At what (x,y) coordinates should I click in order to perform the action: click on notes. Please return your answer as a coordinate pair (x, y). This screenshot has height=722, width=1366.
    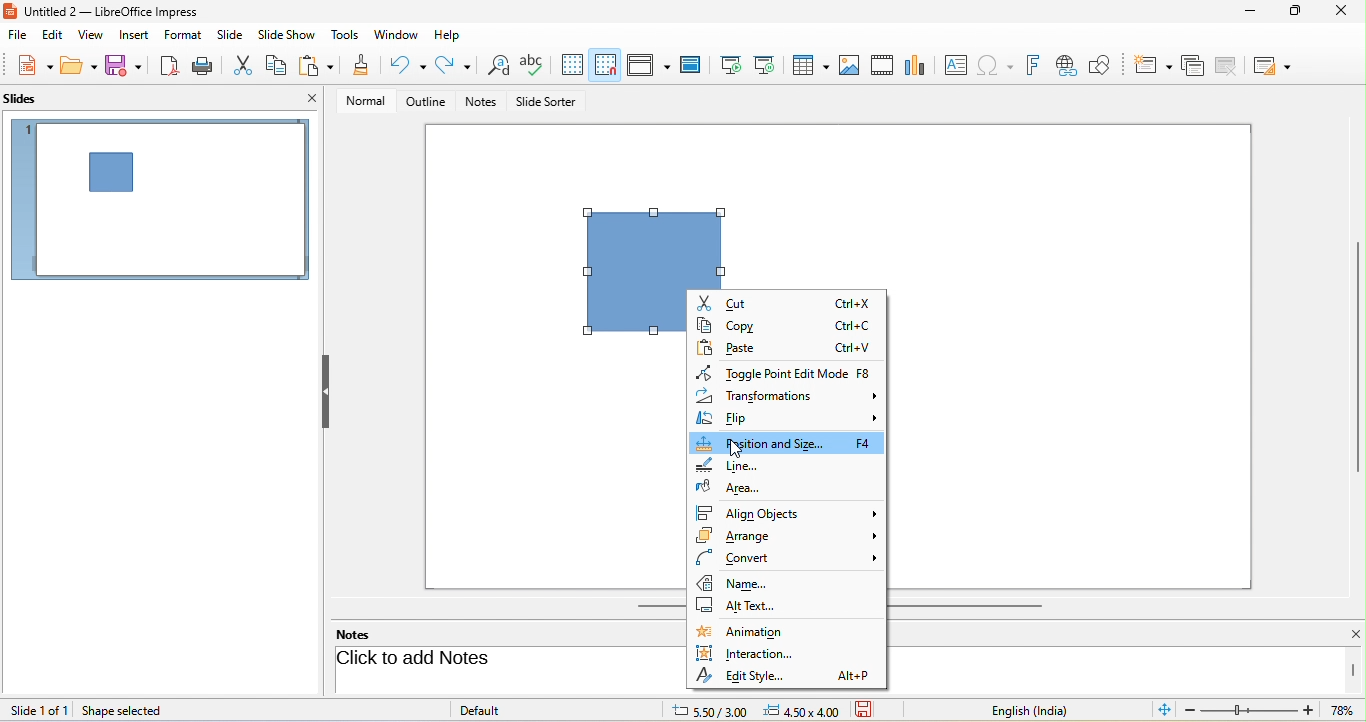
    Looking at the image, I should click on (366, 634).